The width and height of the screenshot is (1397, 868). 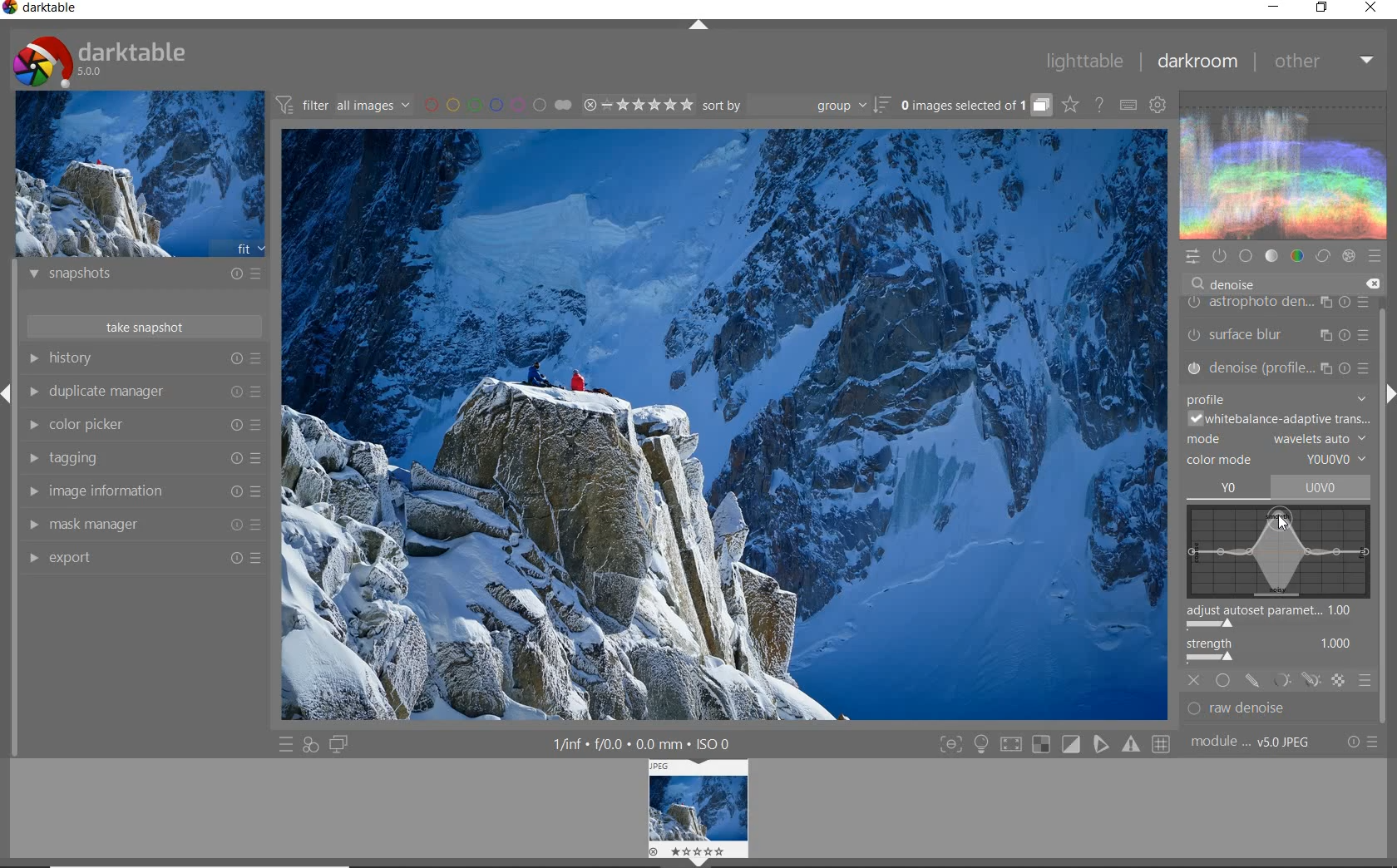 What do you see at coordinates (1348, 256) in the screenshot?
I see `effect` at bounding box center [1348, 256].